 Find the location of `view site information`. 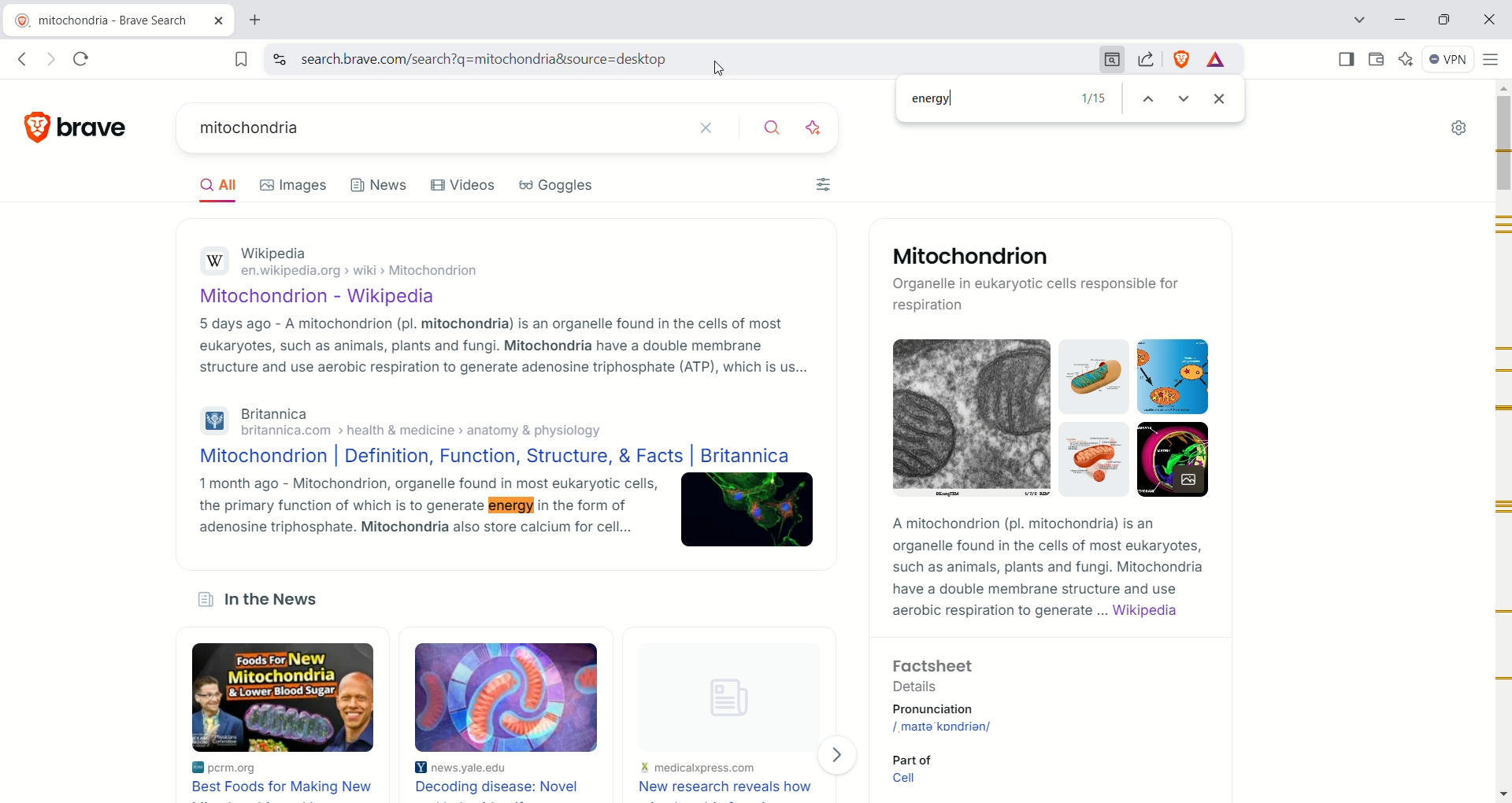

view site information is located at coordinates (280, 58).